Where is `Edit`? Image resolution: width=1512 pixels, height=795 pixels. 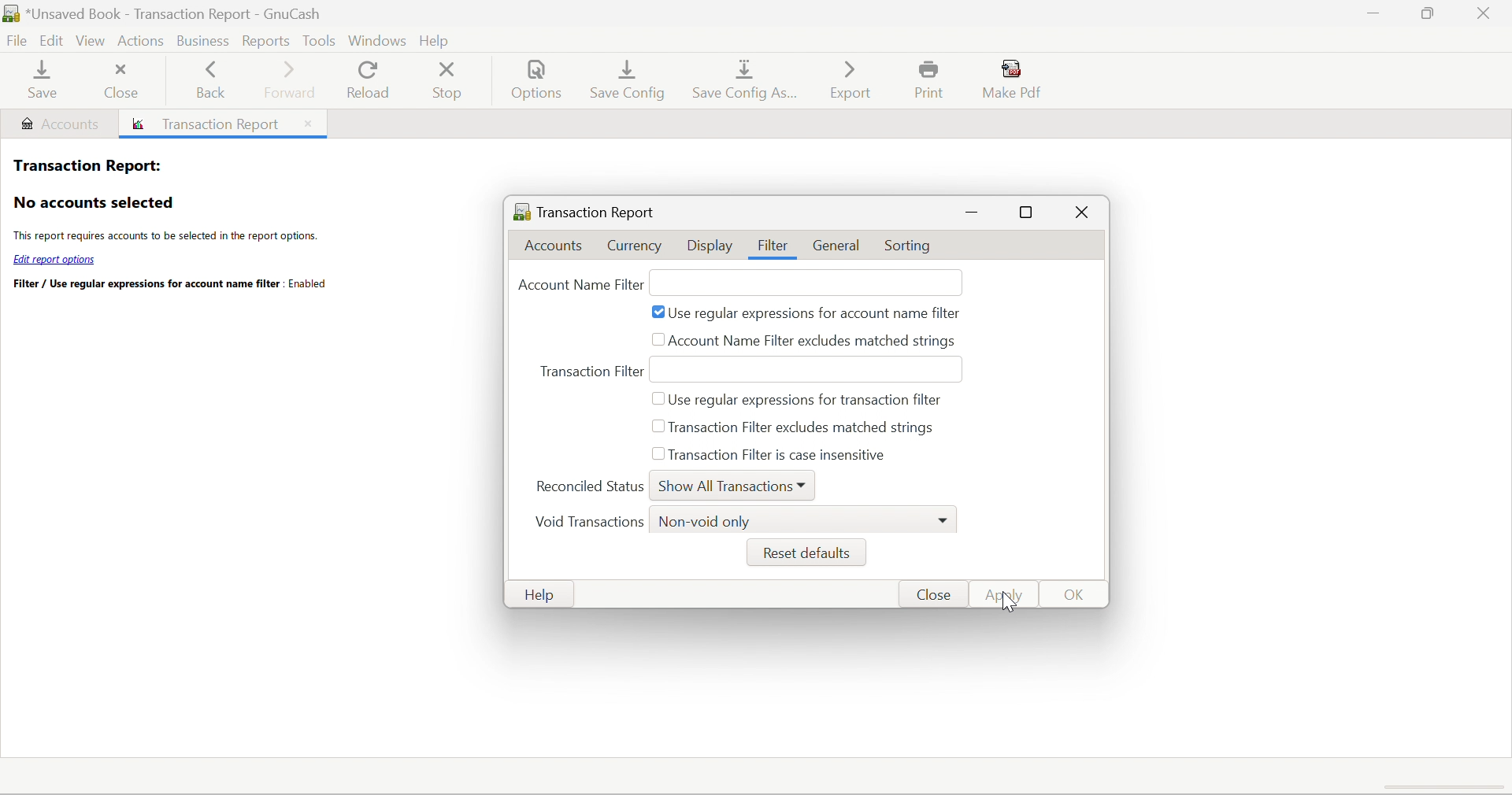 Edit is located at coordinates (54, 41).